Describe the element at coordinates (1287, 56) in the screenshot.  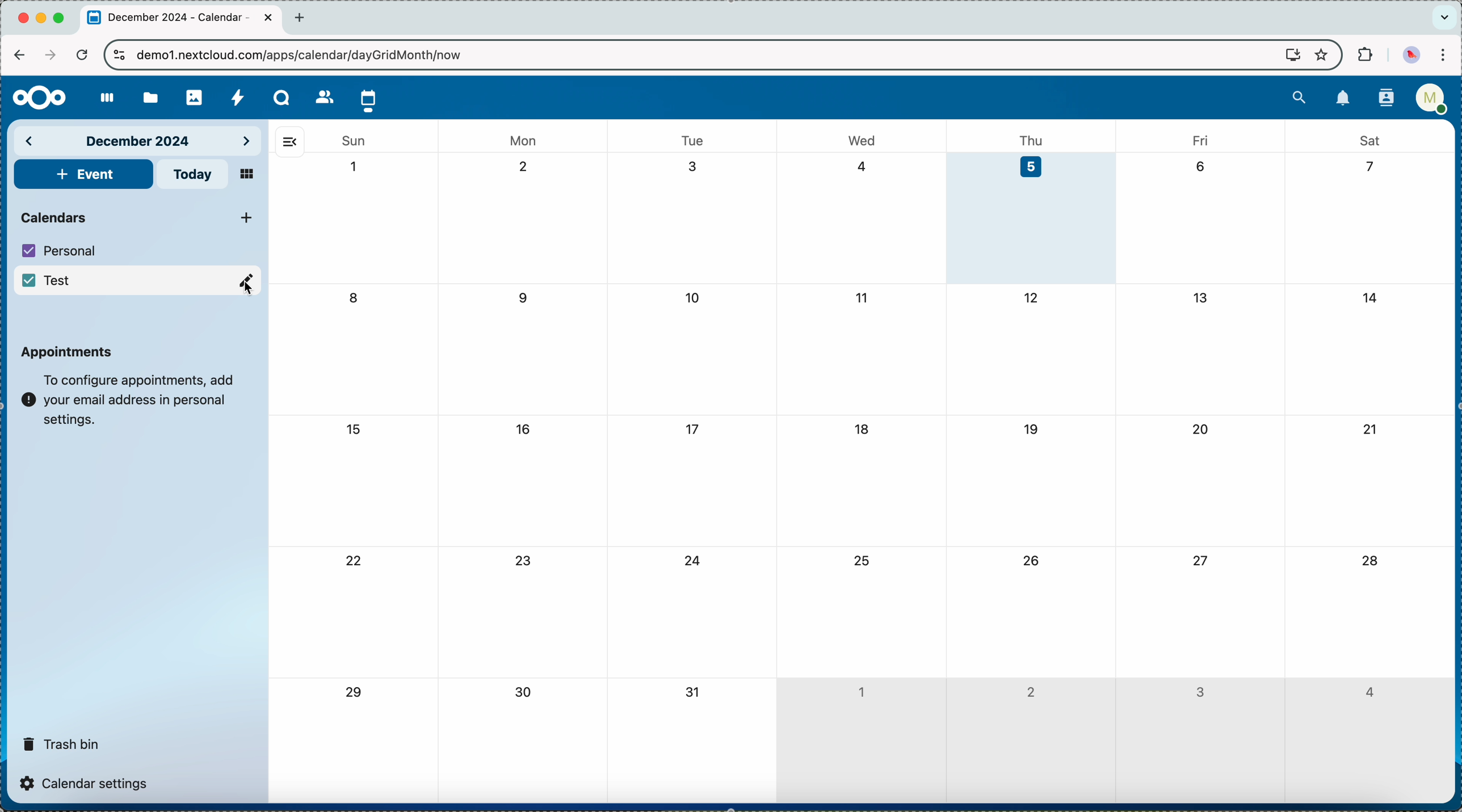
I see `screen` at that location.